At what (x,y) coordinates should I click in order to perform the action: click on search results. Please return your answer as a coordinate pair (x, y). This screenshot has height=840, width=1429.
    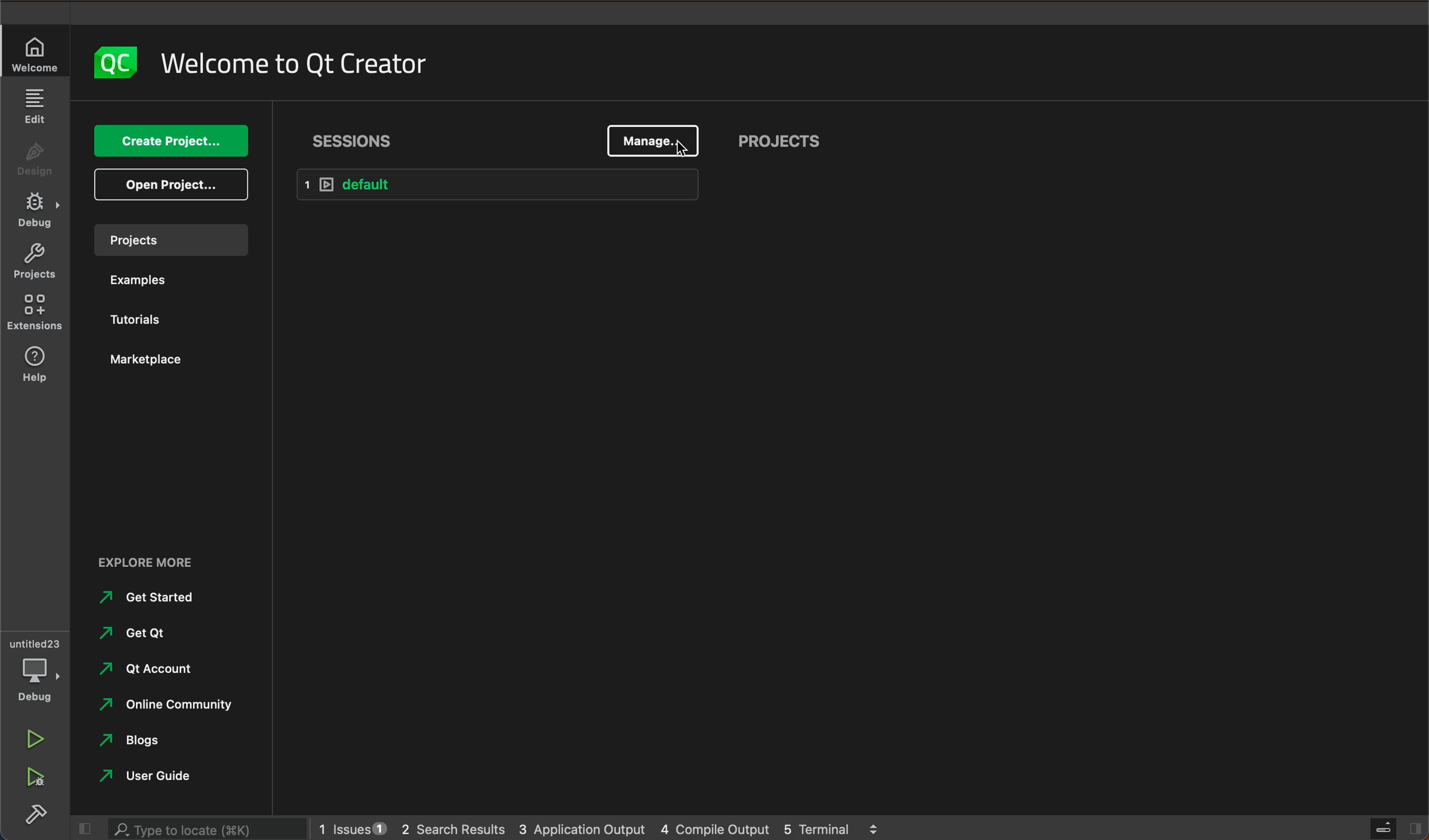
    Looking at the image, I should click on (453, 828).